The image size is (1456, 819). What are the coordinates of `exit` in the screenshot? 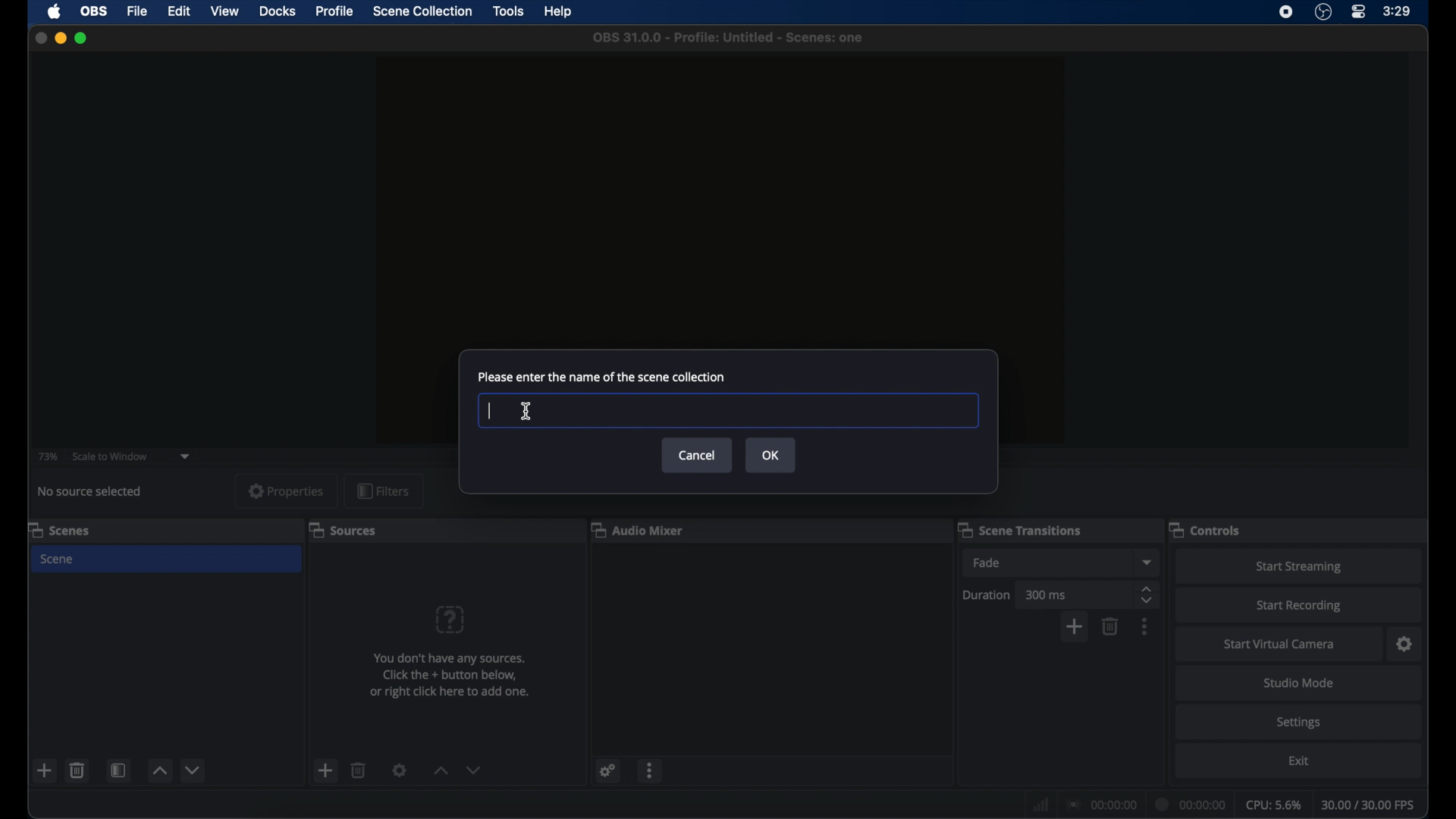 It's located at (1301, 761).